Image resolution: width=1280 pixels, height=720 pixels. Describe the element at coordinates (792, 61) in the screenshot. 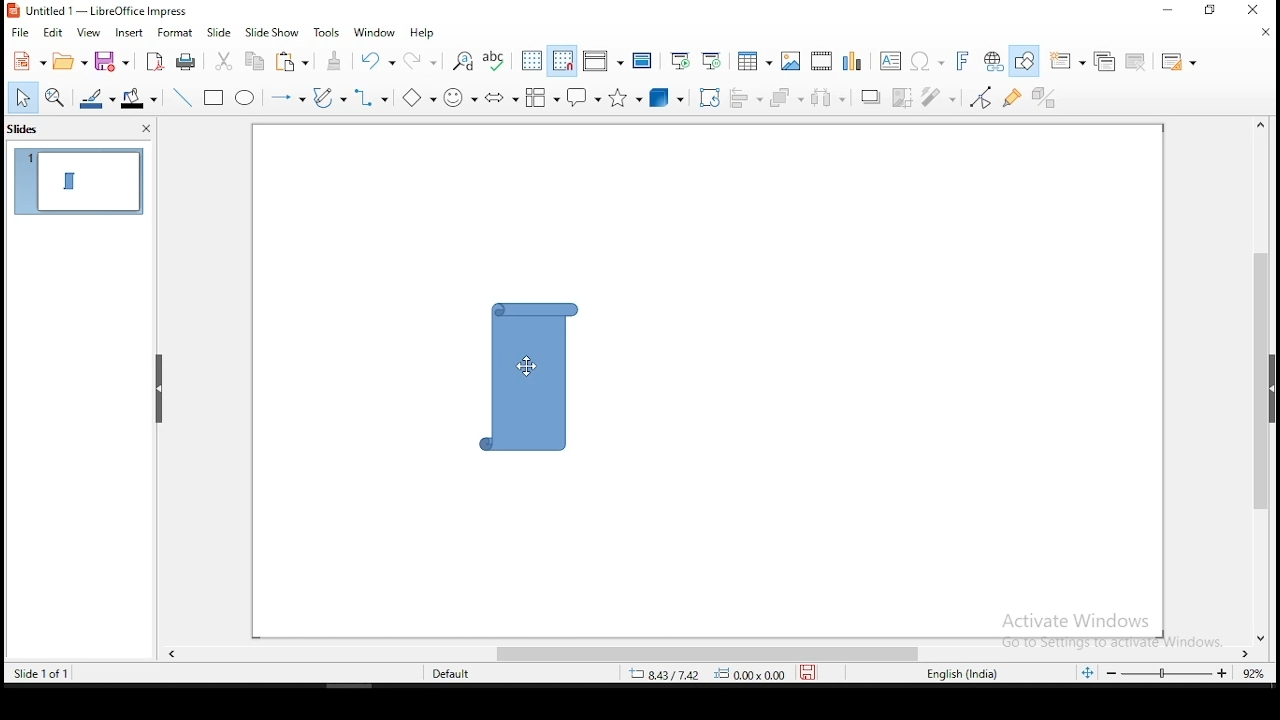

I see `image` at that location.